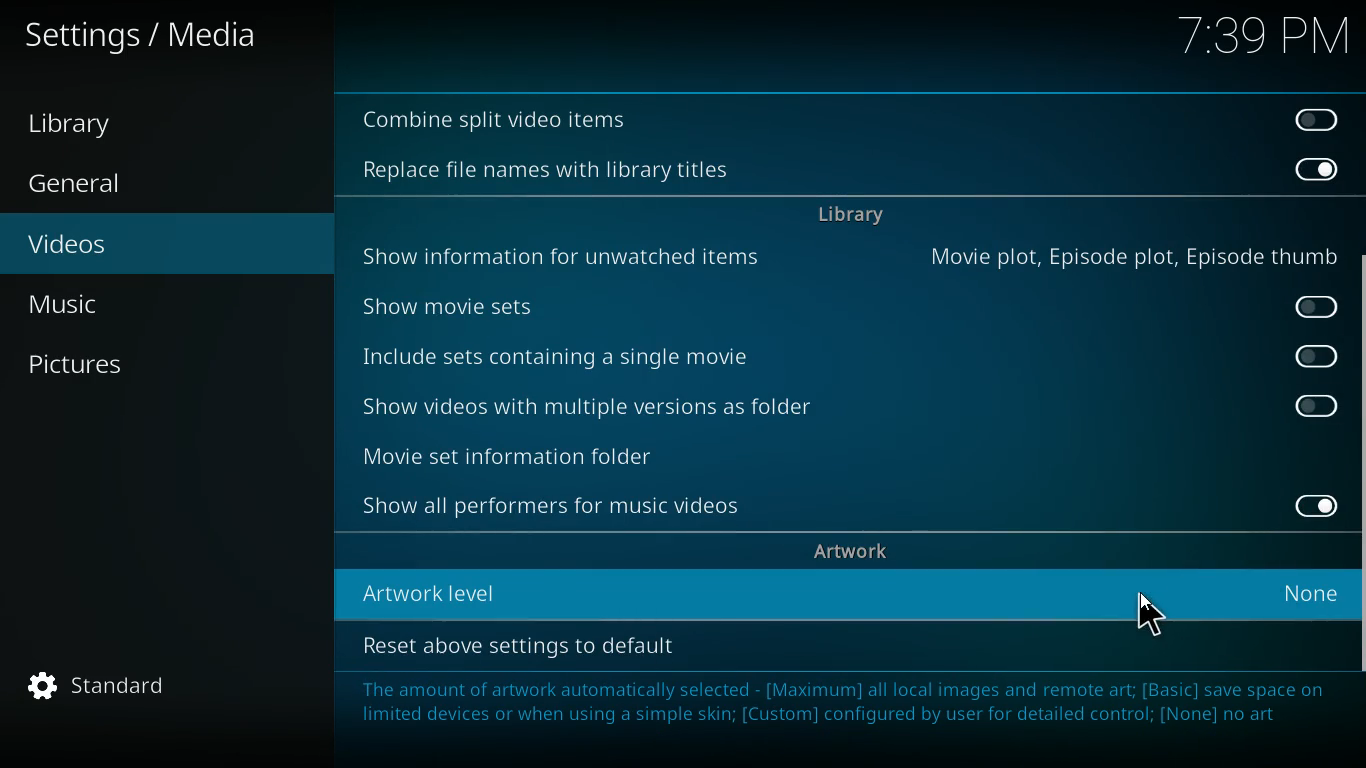 The height and width of the screenshot is (768, 1366). I want to click on Artwork level, so click(563, 589).